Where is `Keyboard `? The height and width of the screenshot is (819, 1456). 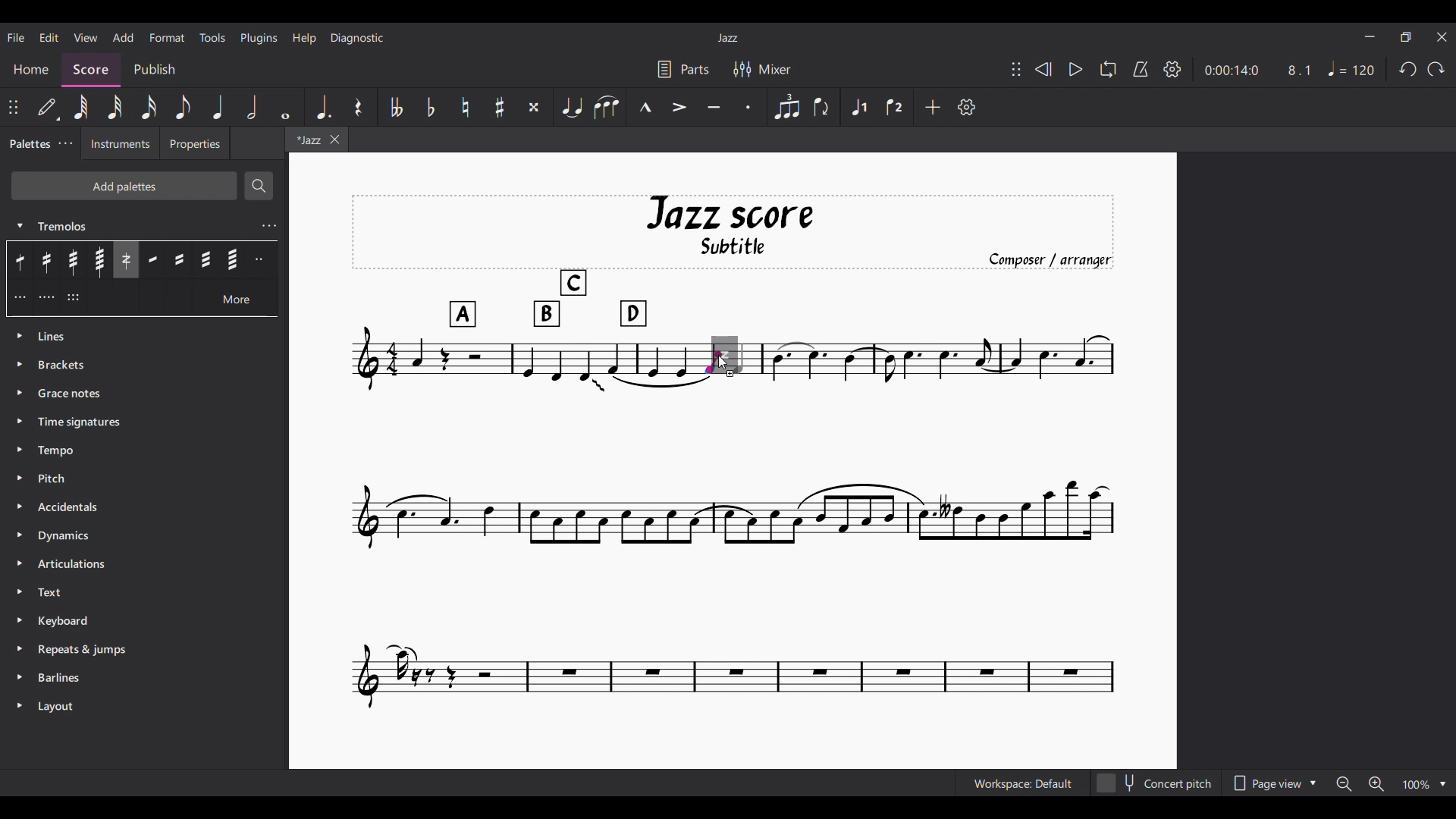 Keyboard  is located at coordinates (142, 621).